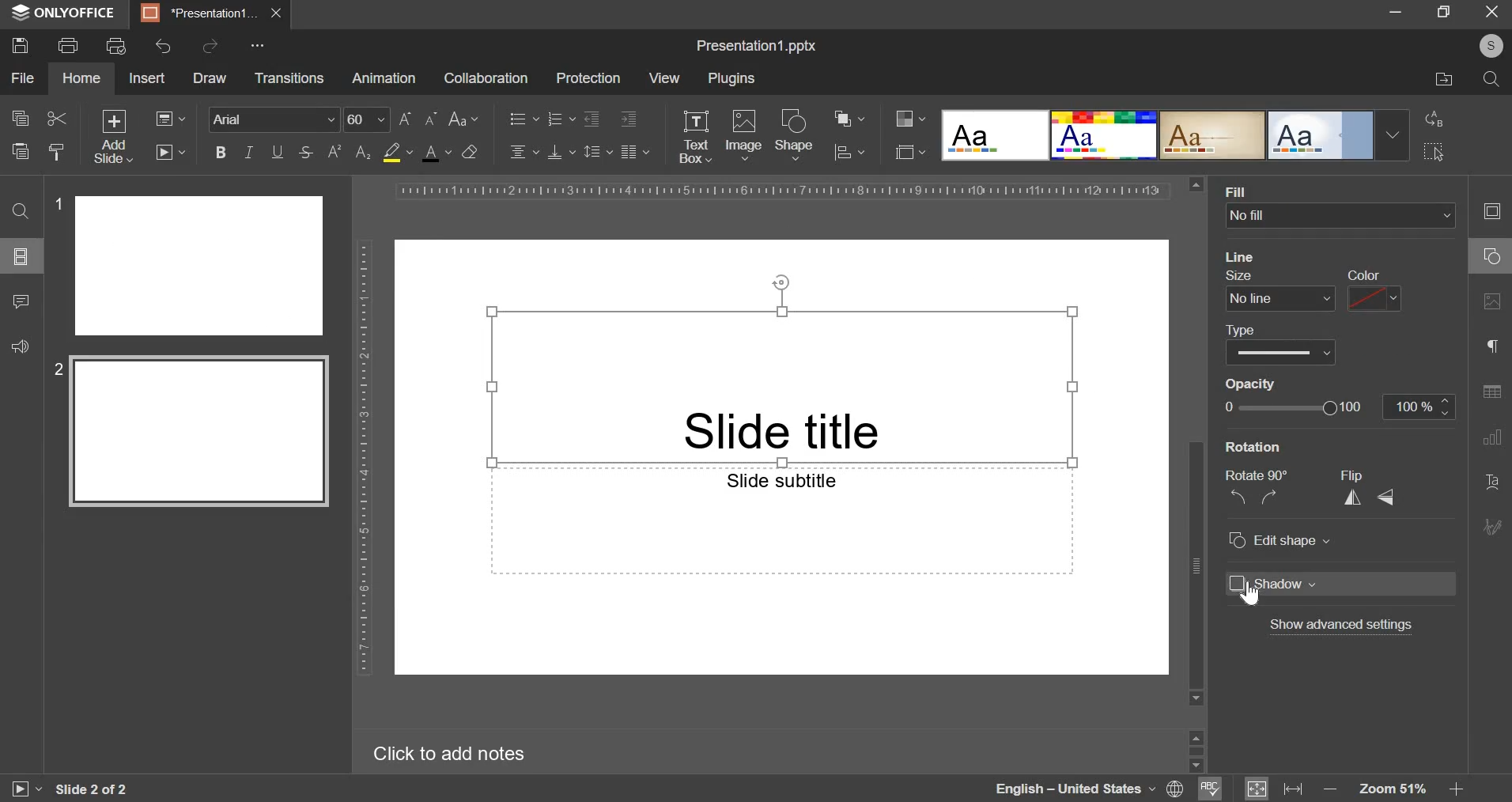 The image size is (1512, 802). Describe the element at coordinates (470, 151) in the screenshot. I see `clear style` at that location.